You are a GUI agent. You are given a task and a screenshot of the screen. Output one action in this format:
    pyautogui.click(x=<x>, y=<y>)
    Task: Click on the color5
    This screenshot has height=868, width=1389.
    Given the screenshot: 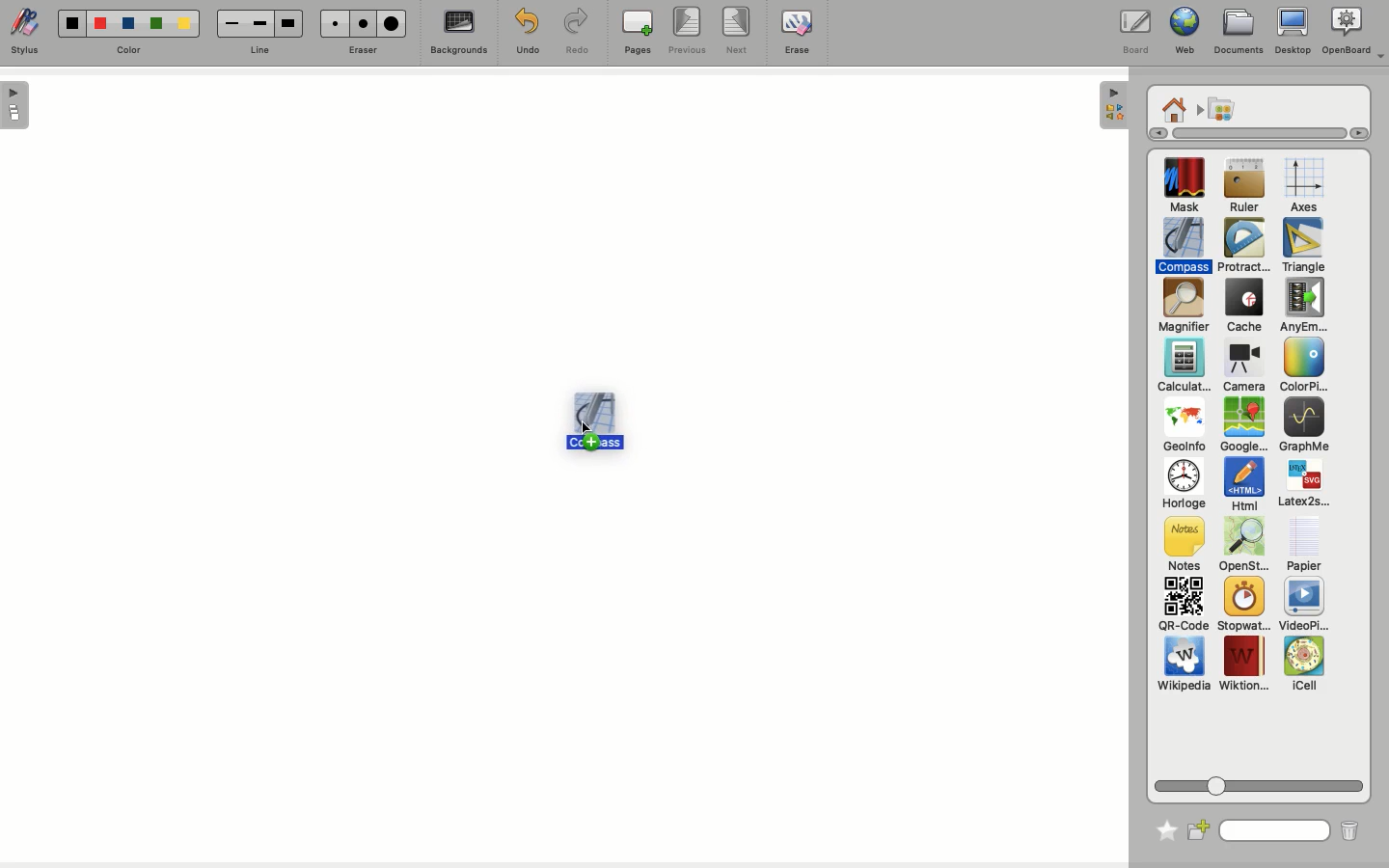 What is the action you would take?
    pyautogui.click(x=183, y=25)
    